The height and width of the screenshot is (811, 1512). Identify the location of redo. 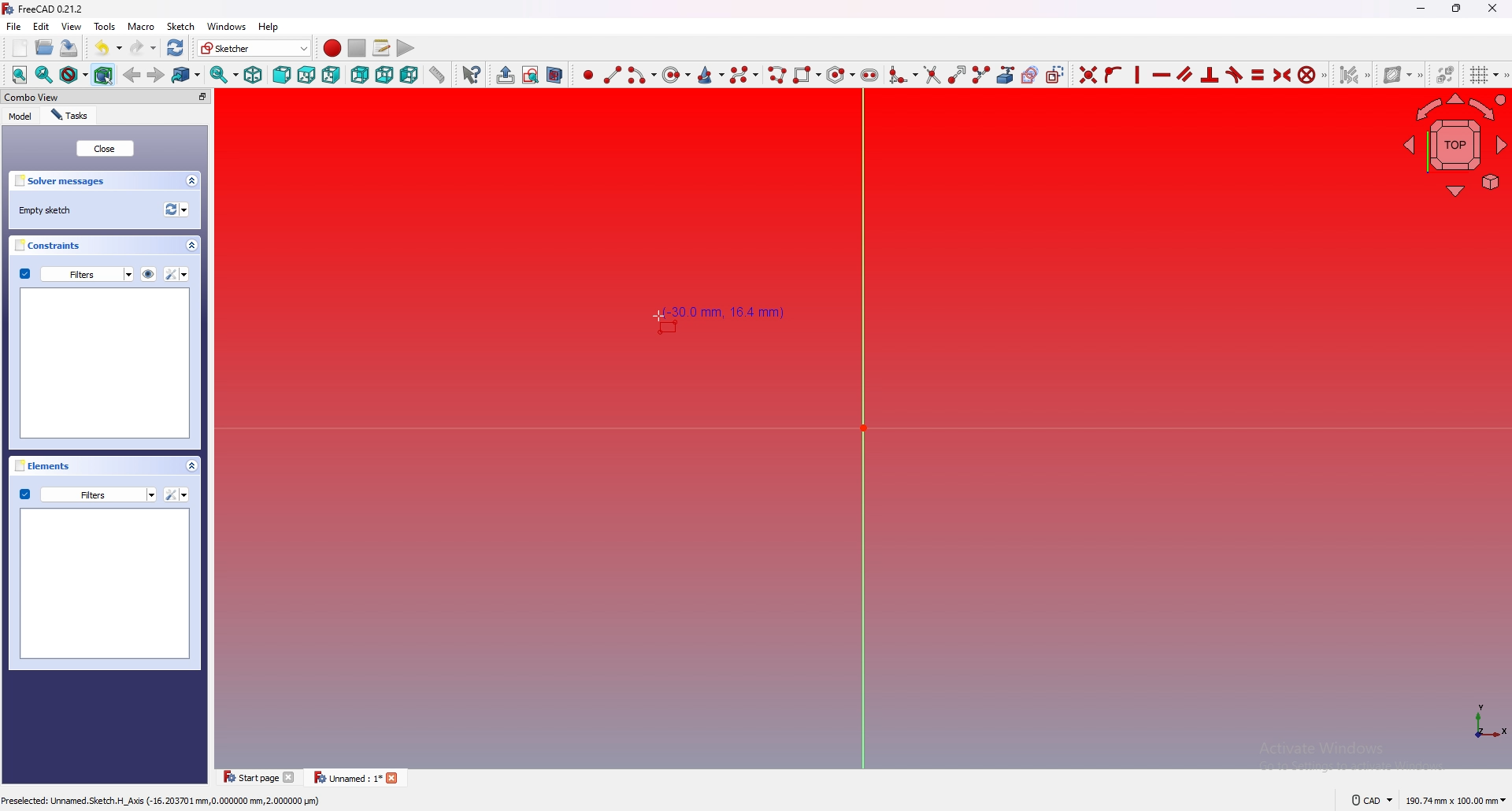
(144, 47).